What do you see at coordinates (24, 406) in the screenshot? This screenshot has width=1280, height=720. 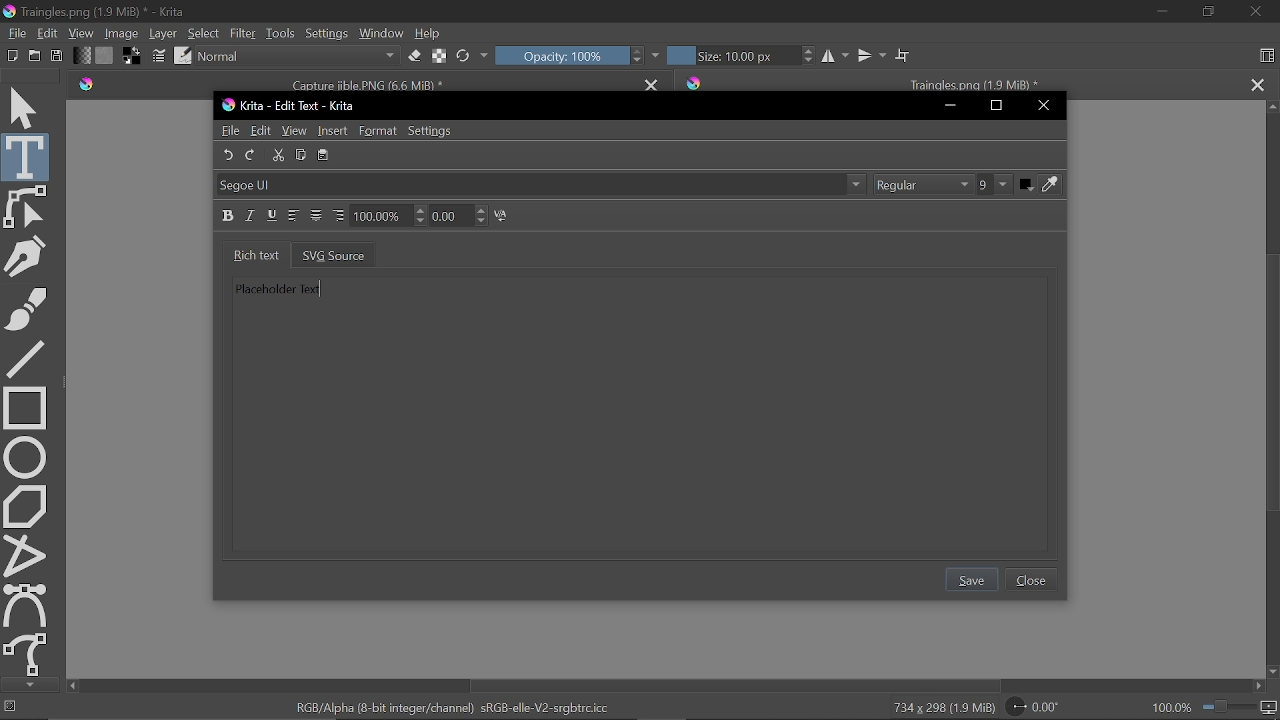 I see `Rectangle tool` at bounding box center [24, 406].